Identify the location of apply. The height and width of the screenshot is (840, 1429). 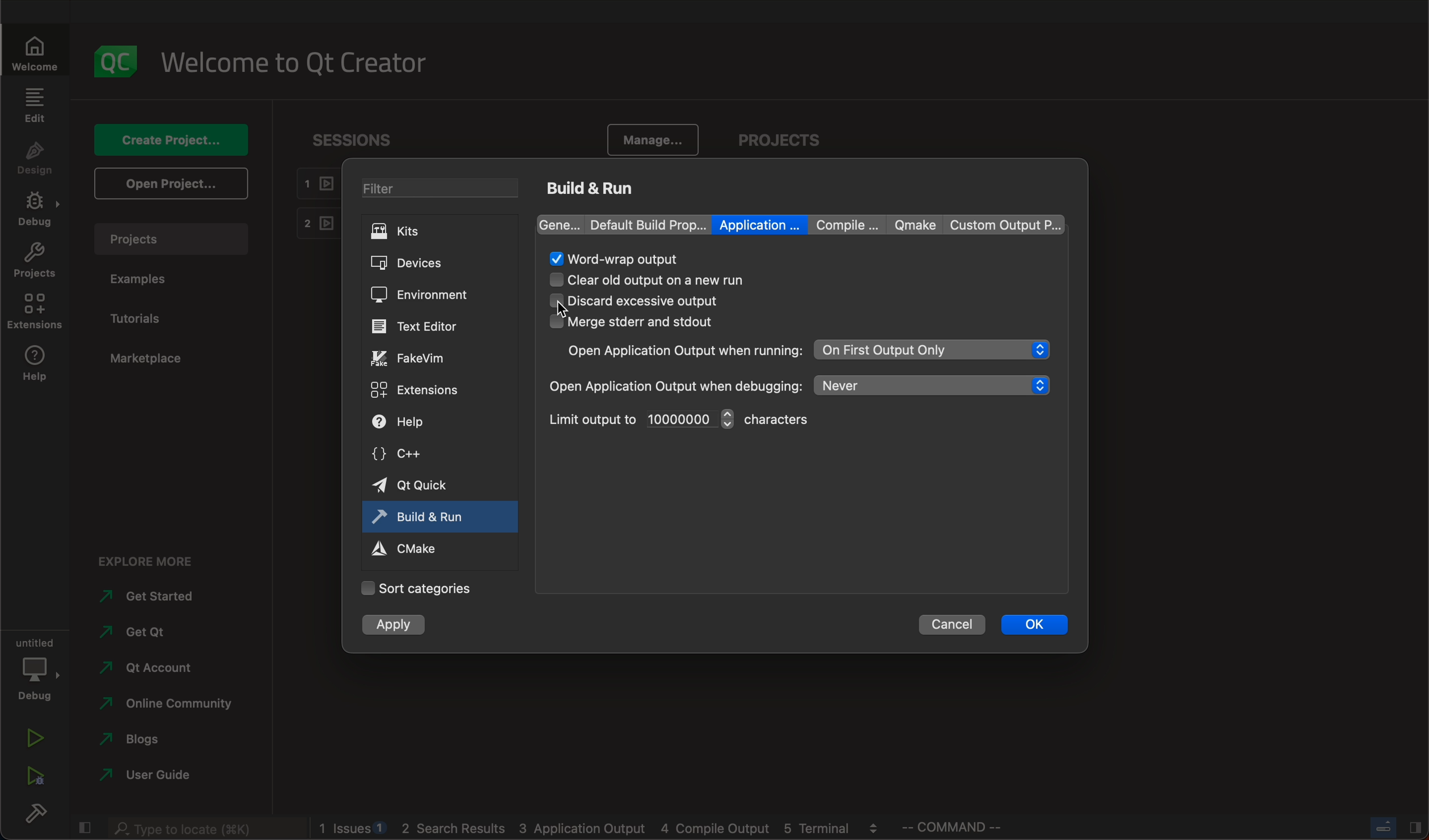
(392, 625).